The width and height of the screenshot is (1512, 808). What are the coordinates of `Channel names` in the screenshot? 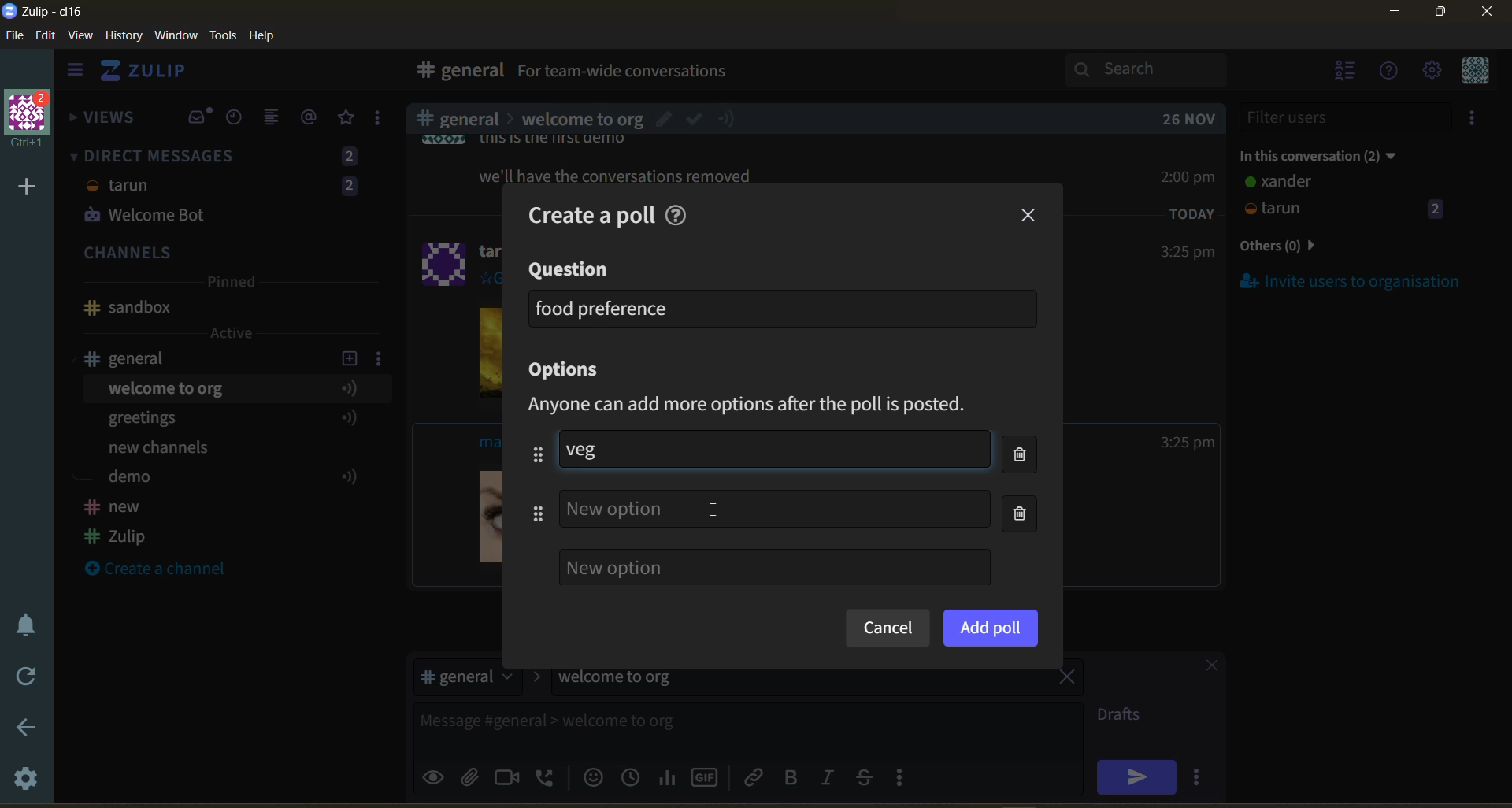 It's located at (118, 524).